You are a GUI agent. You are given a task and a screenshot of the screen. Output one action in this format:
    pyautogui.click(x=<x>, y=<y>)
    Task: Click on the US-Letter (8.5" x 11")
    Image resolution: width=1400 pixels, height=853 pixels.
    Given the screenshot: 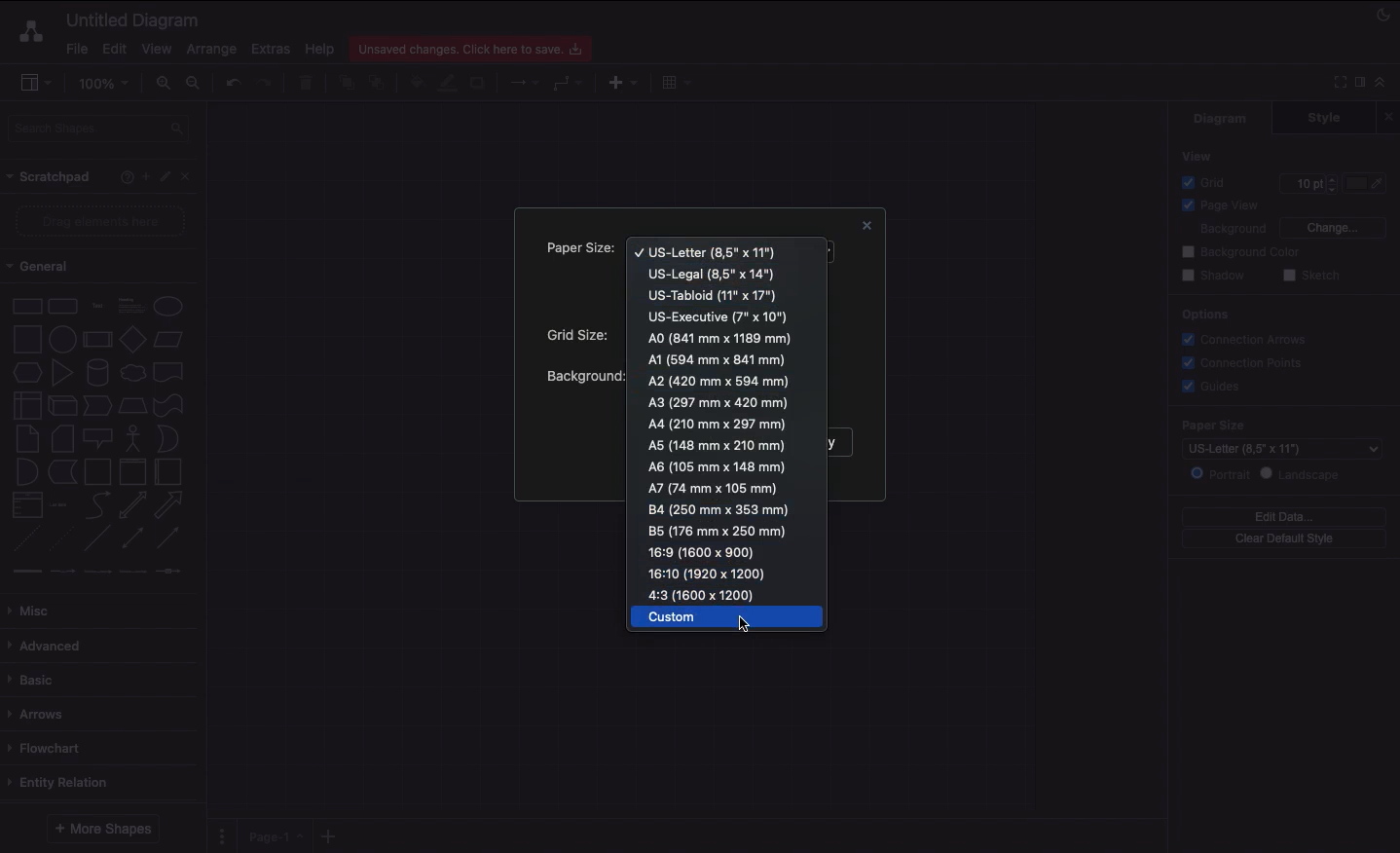 What is the action you would take?
    pyautogui.click(x=1267, y=449)
    